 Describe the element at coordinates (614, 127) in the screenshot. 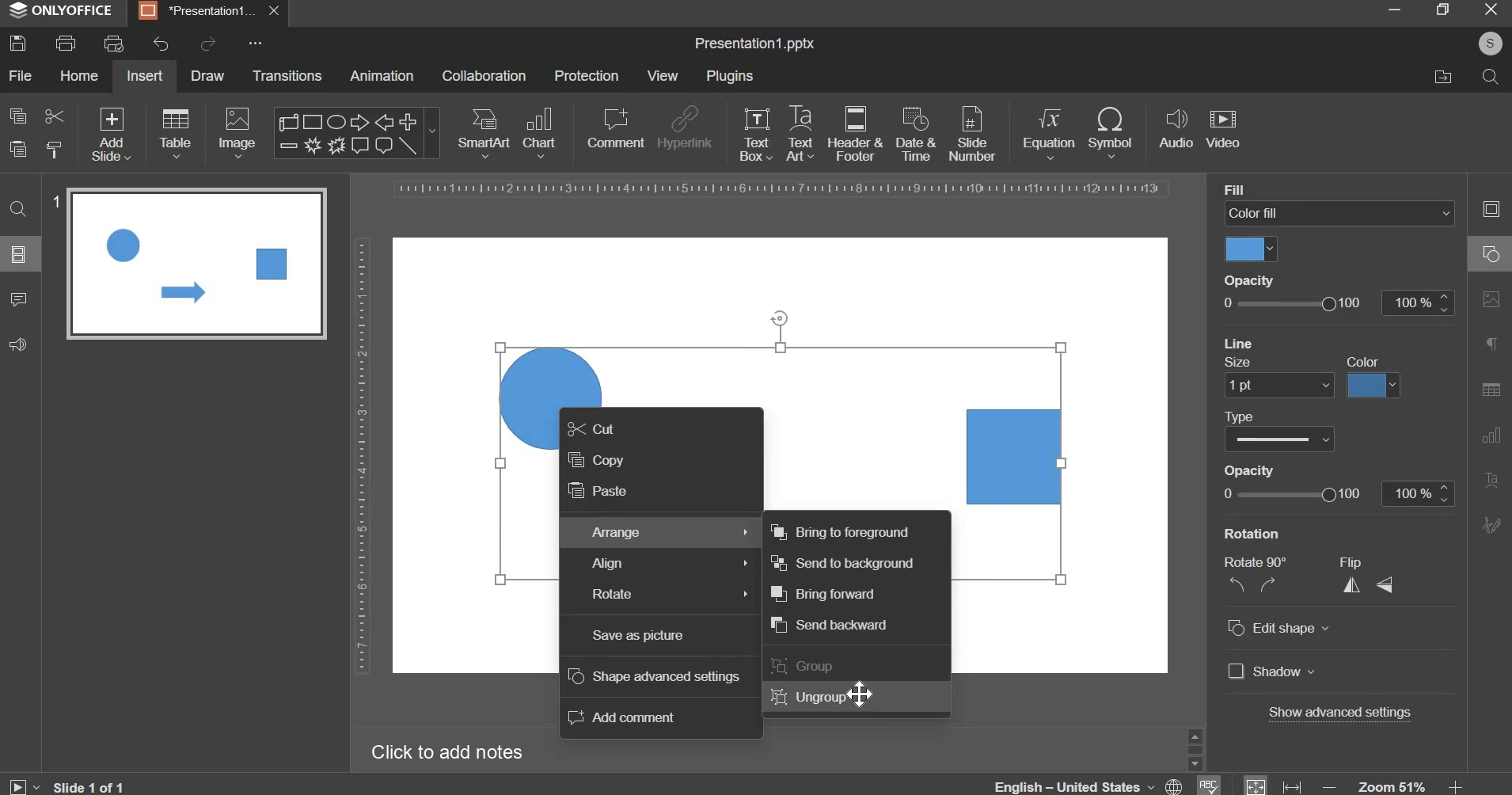

I see `comment` at that location.